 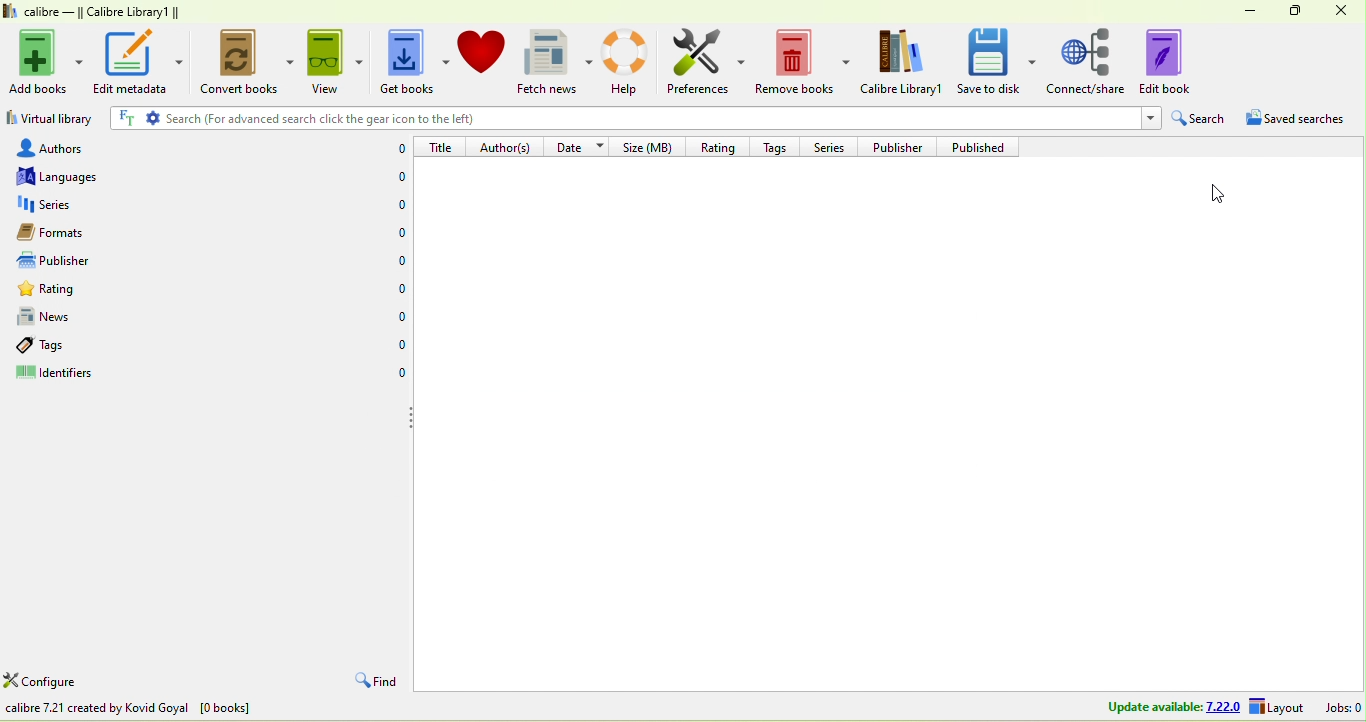 I want to click on edit metadata, so click(x=138, y=61).